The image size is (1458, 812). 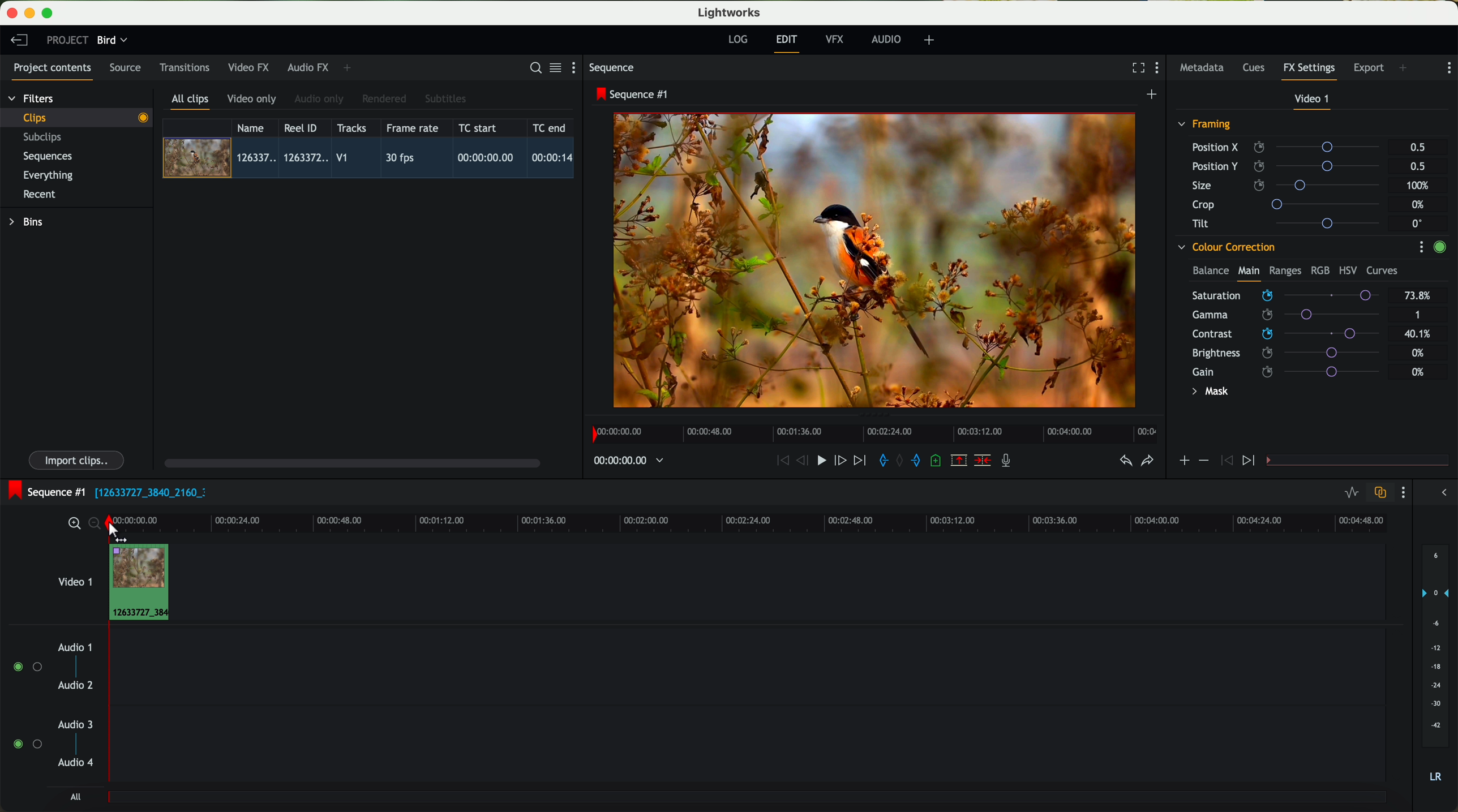 I want to click on sequences, so click(x=48, y=157).